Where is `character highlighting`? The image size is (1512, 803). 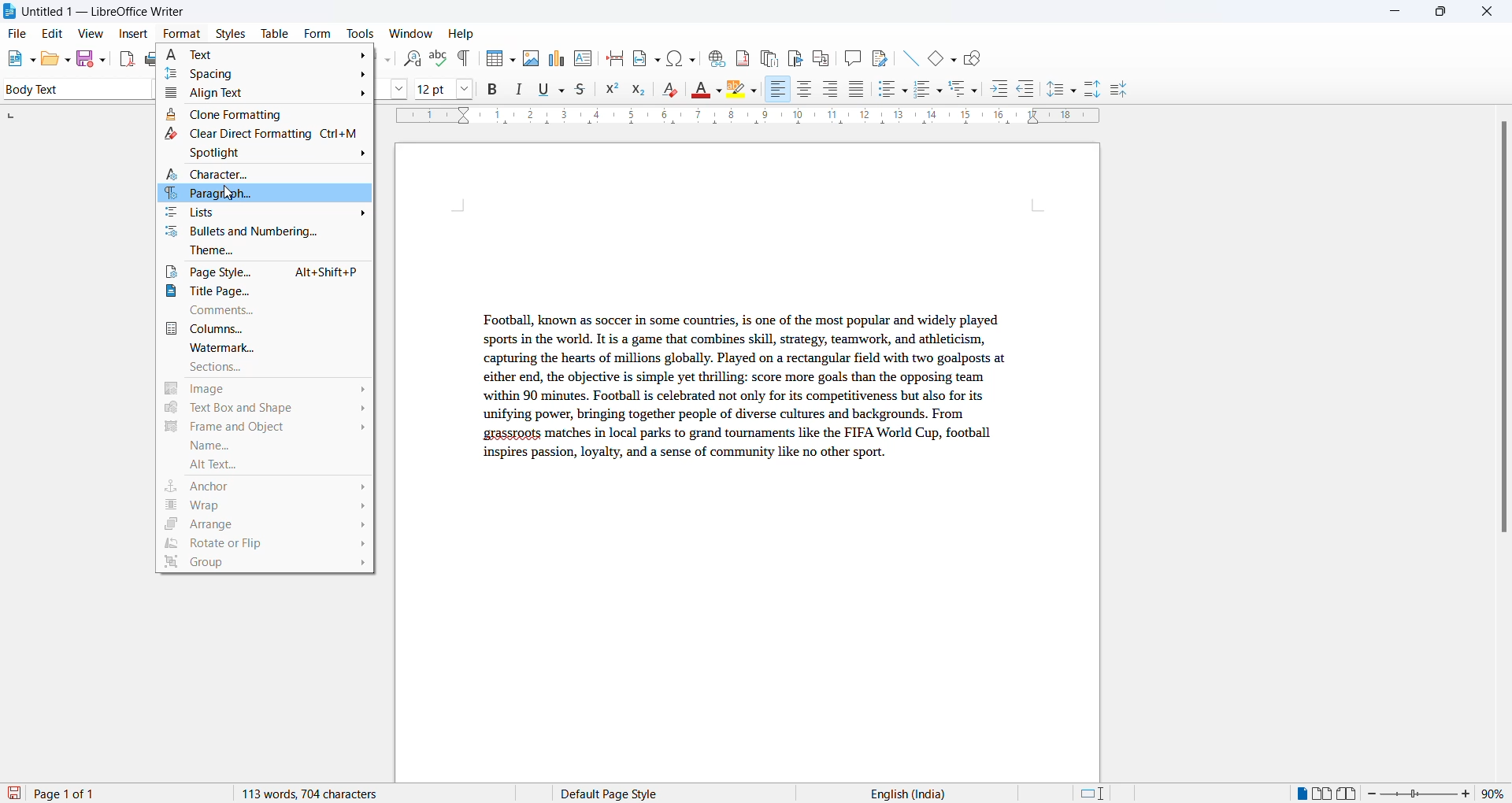 character highlighting is located at coordinates (746, 91).